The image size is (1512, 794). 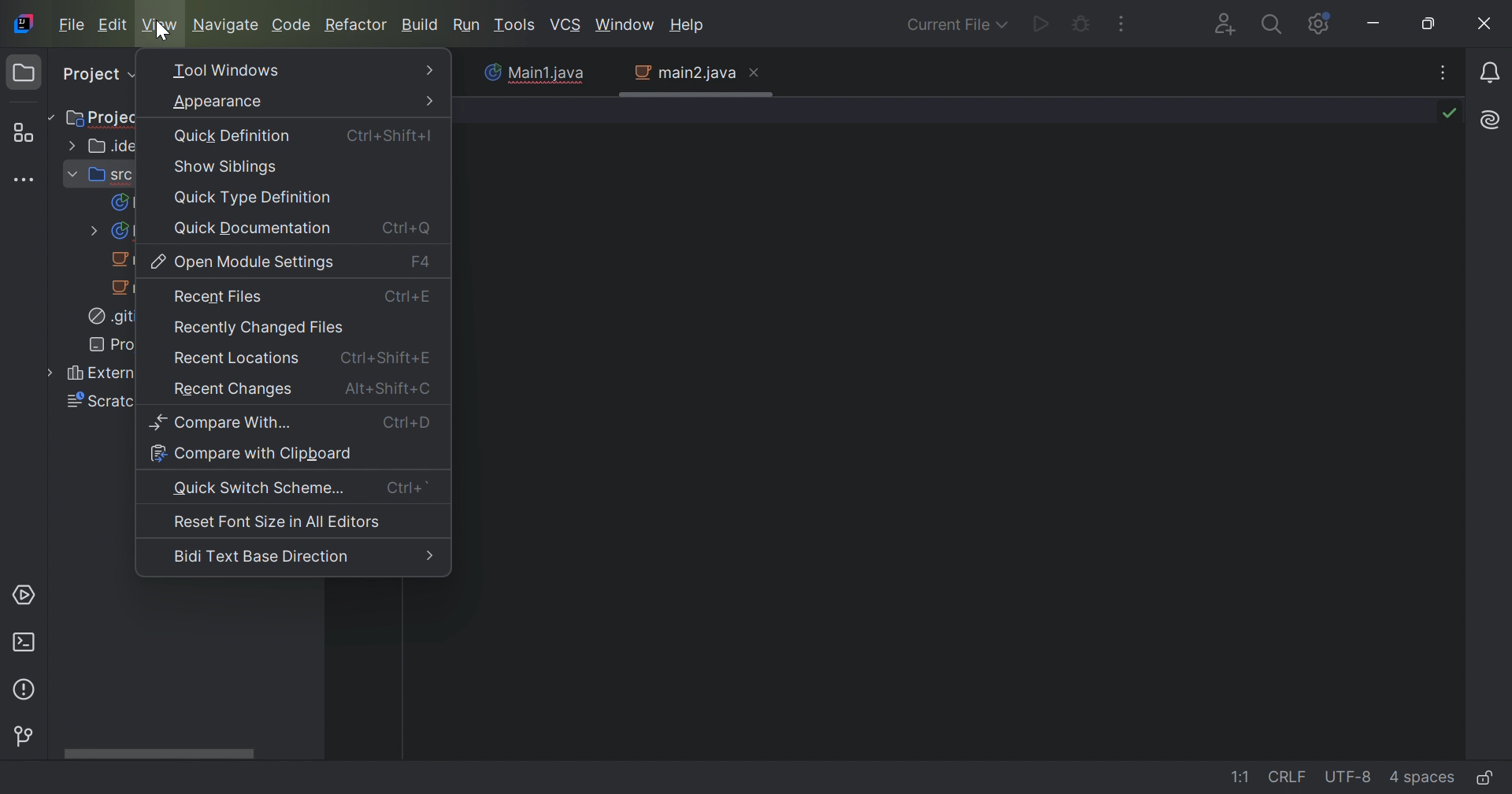 What do you see at coordinates (227, 167) in the screenshot?
I see `Show Siblings` at bounding box center [227, 167].